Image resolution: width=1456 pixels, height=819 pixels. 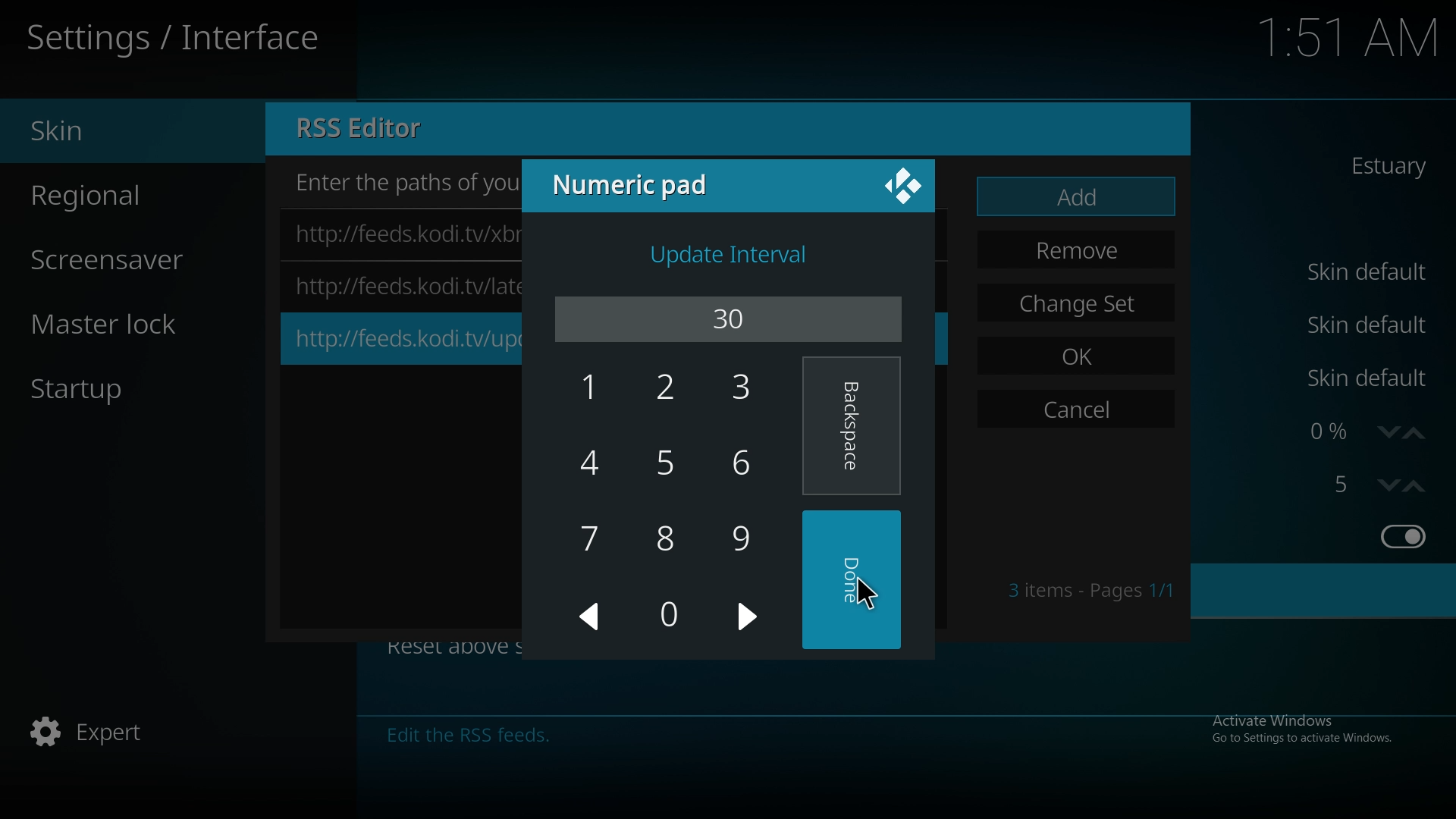 I want to click on numeric pad, so click(x=637, y=187).